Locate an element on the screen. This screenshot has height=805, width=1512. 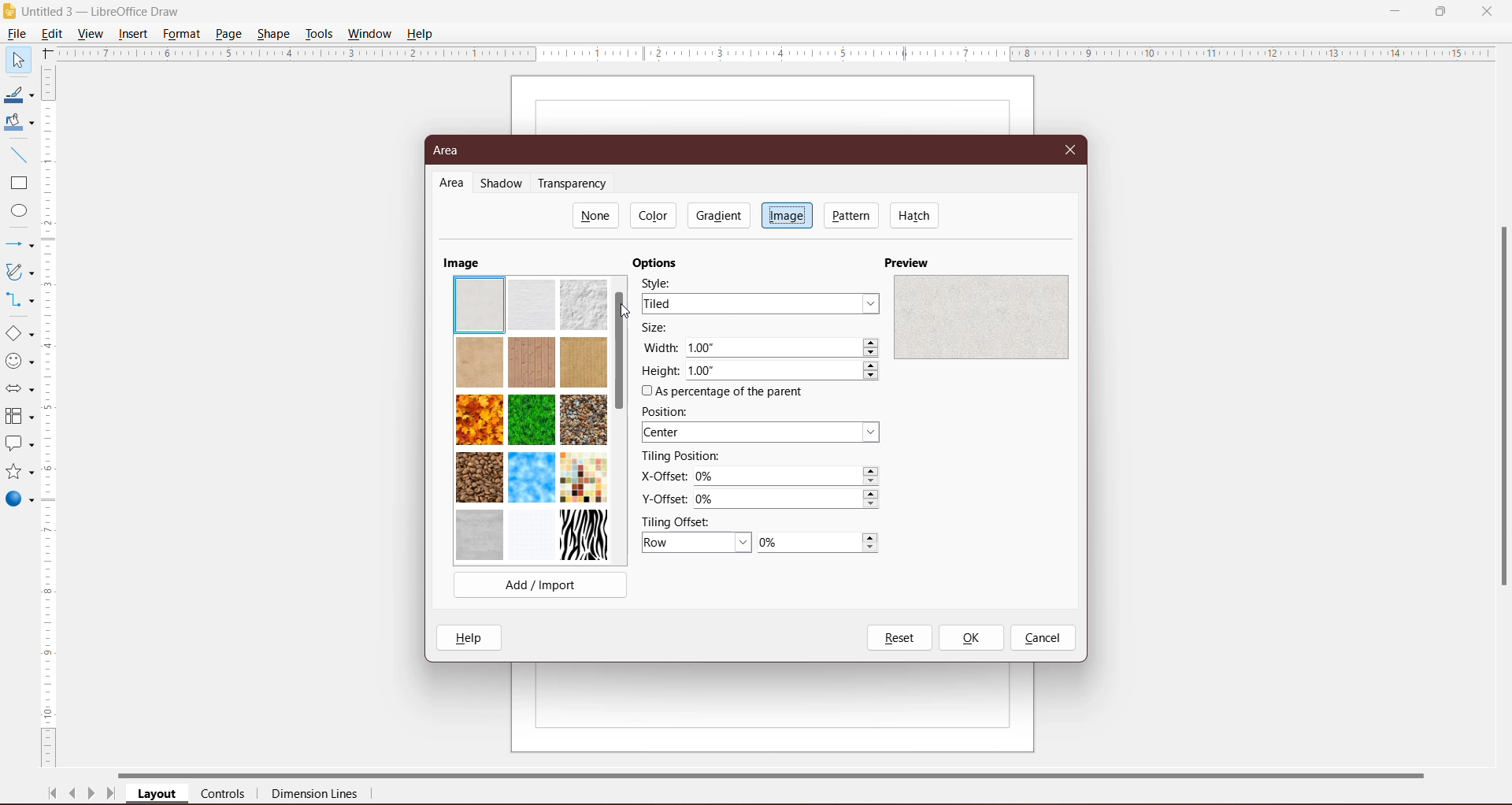
Select the position is located at coordinates (763, 433).